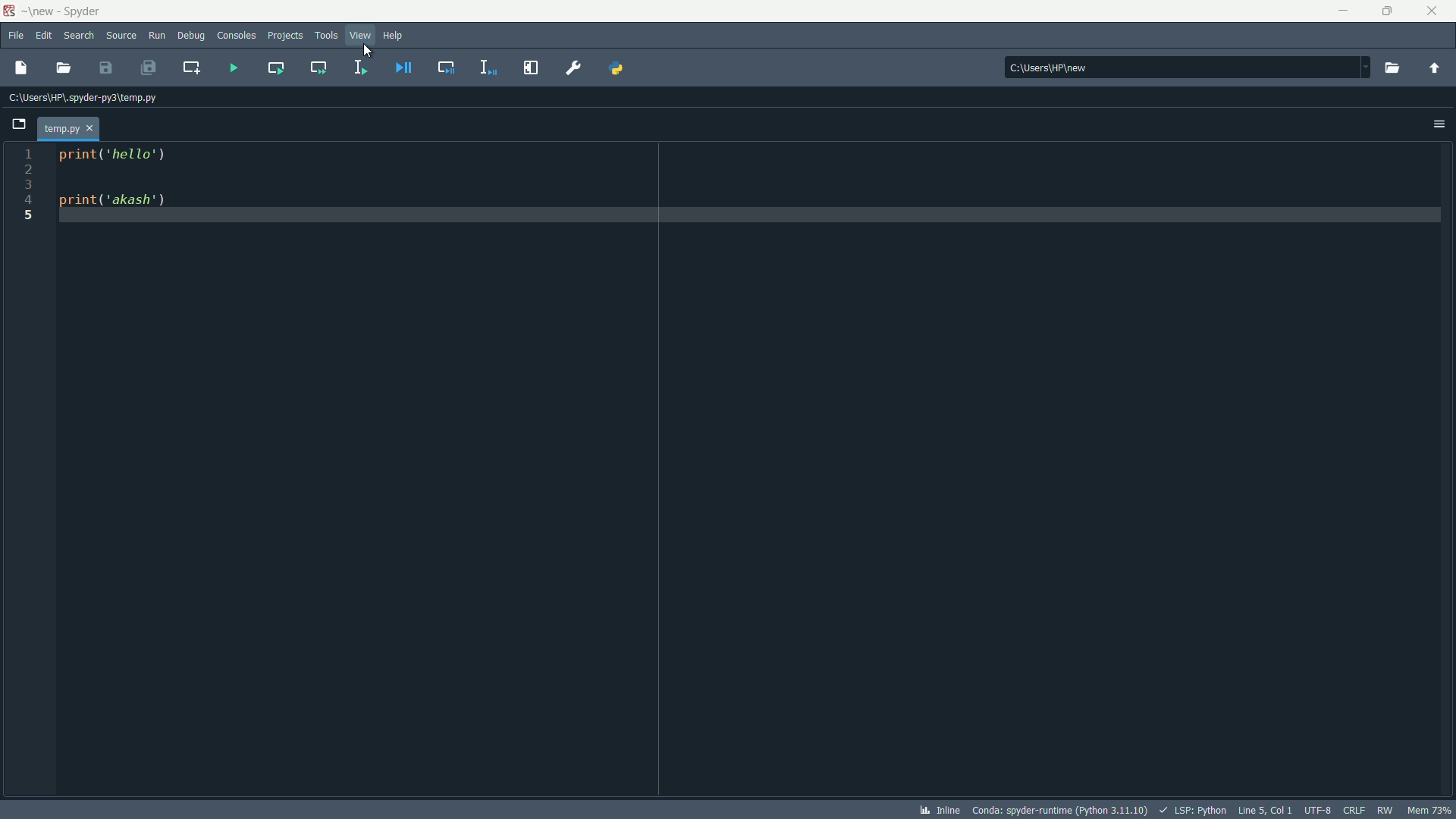  What do you see at coordinates (71, 128) in the screenshot?
I see `current file tab` at bounding box center [71, 128].